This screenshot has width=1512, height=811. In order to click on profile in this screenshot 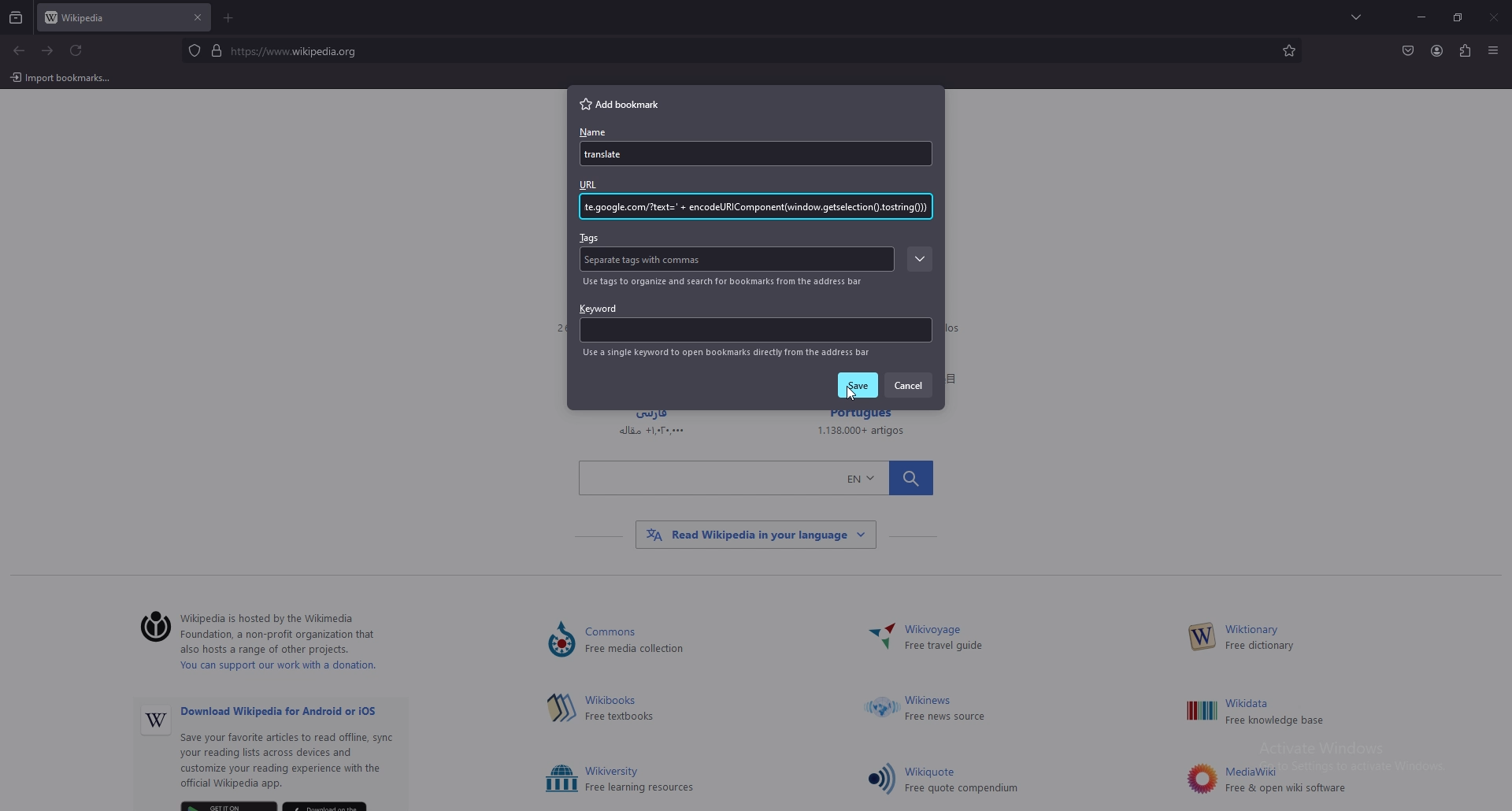, I will do `click(1437, 51)`.